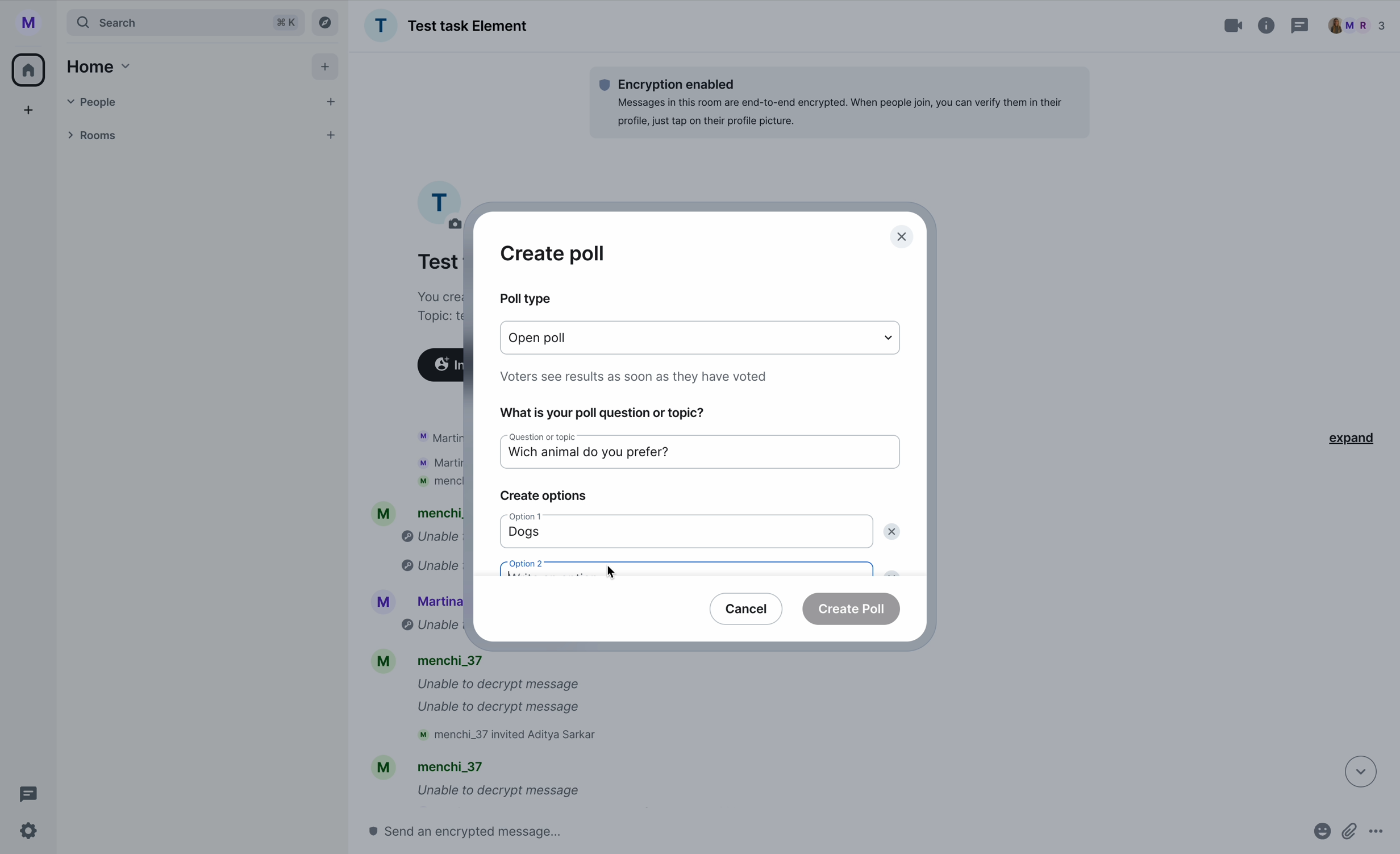 The width and height of the screenshot is (1400, 854). What do you see at coordinates (1348, 438) in the screenshot?
I see `expand` at bounding box center [1348, 438].